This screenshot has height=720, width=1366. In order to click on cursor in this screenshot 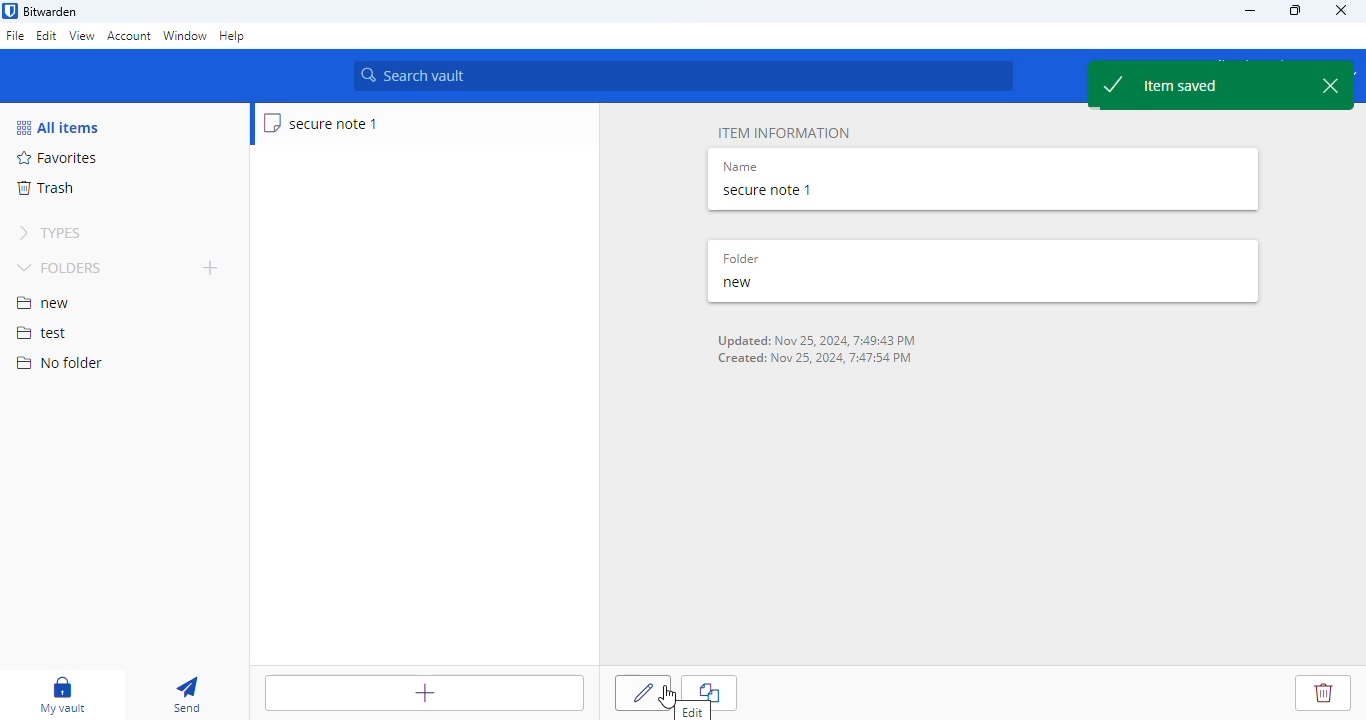, I will do `click(668, 696)`.